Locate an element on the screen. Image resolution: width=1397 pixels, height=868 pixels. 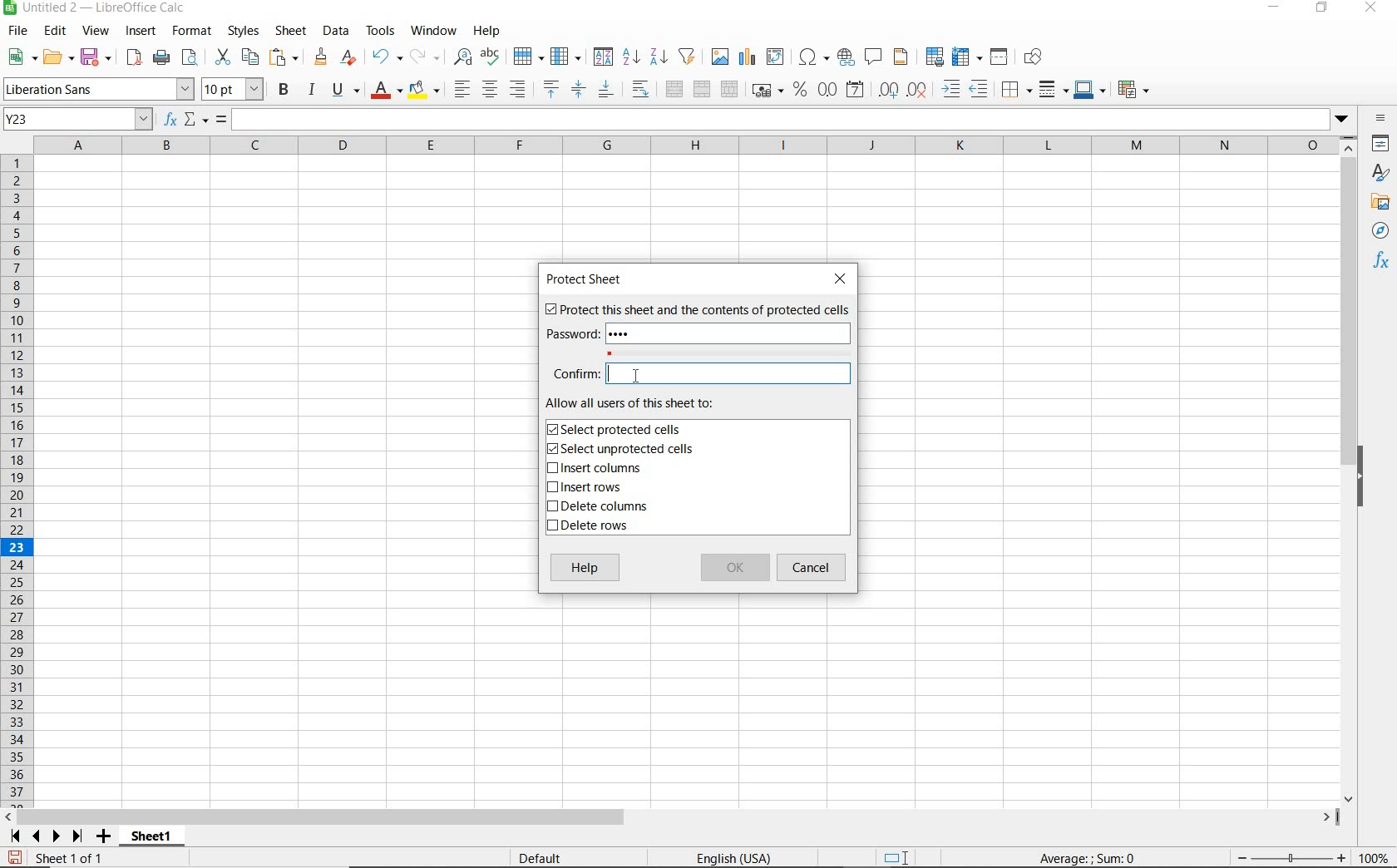
CONFIRM is located at coordinates (572, 377).